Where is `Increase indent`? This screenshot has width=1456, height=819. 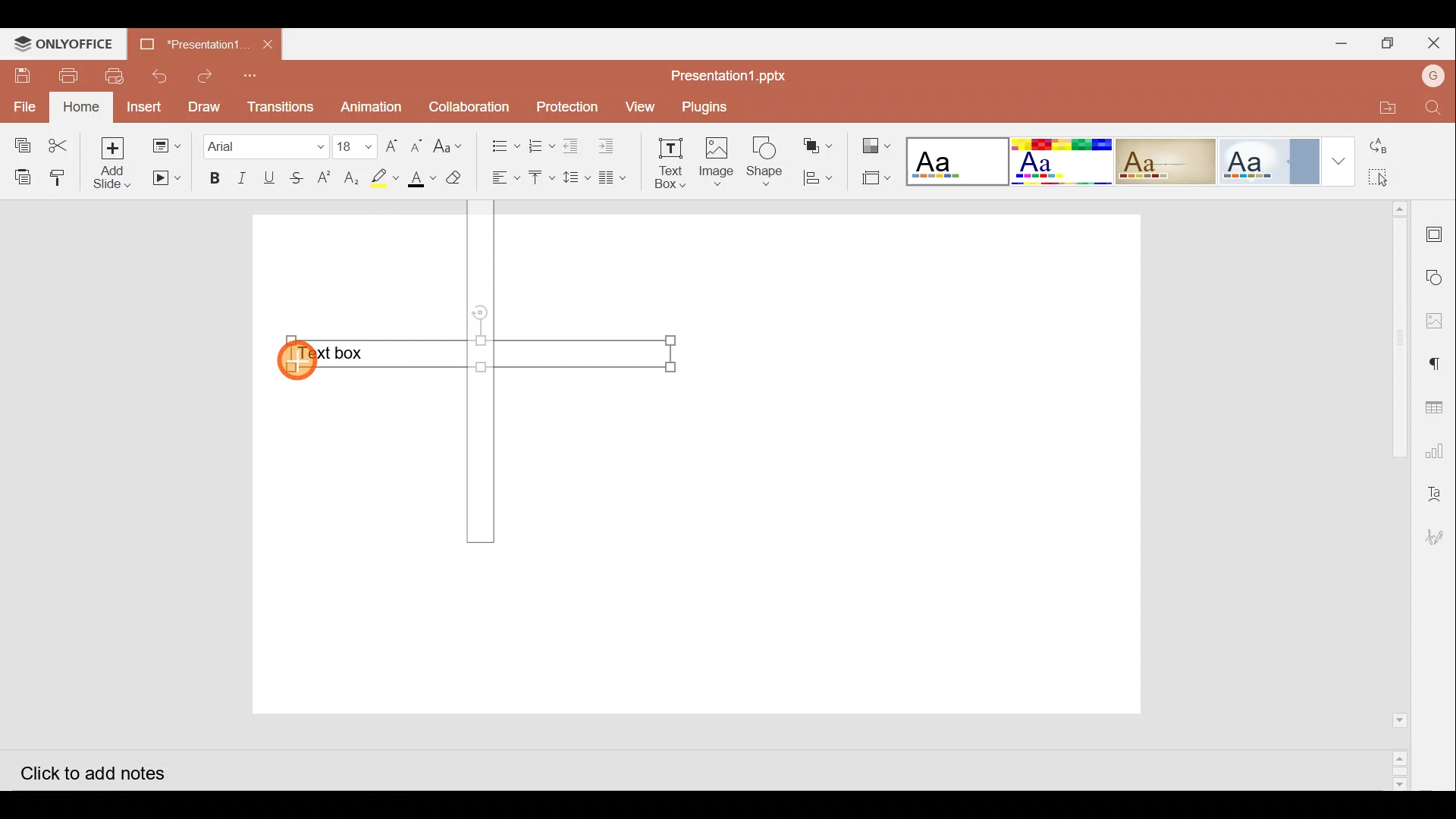
Increase indent is located at coordinates (609, 143).